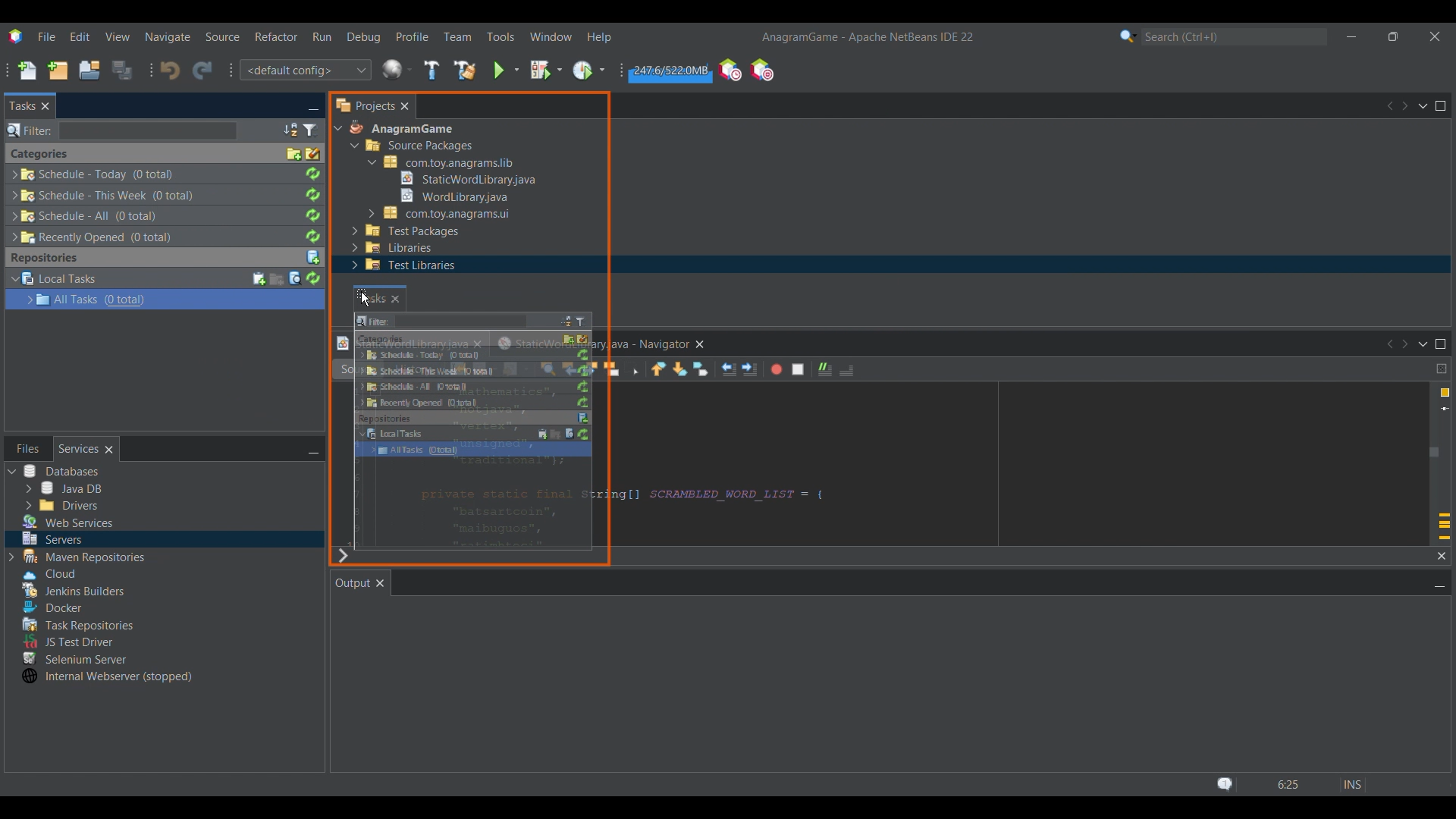 This screenshot has height=819, width=1456. I want to click on Run main project, so click(506, 71).